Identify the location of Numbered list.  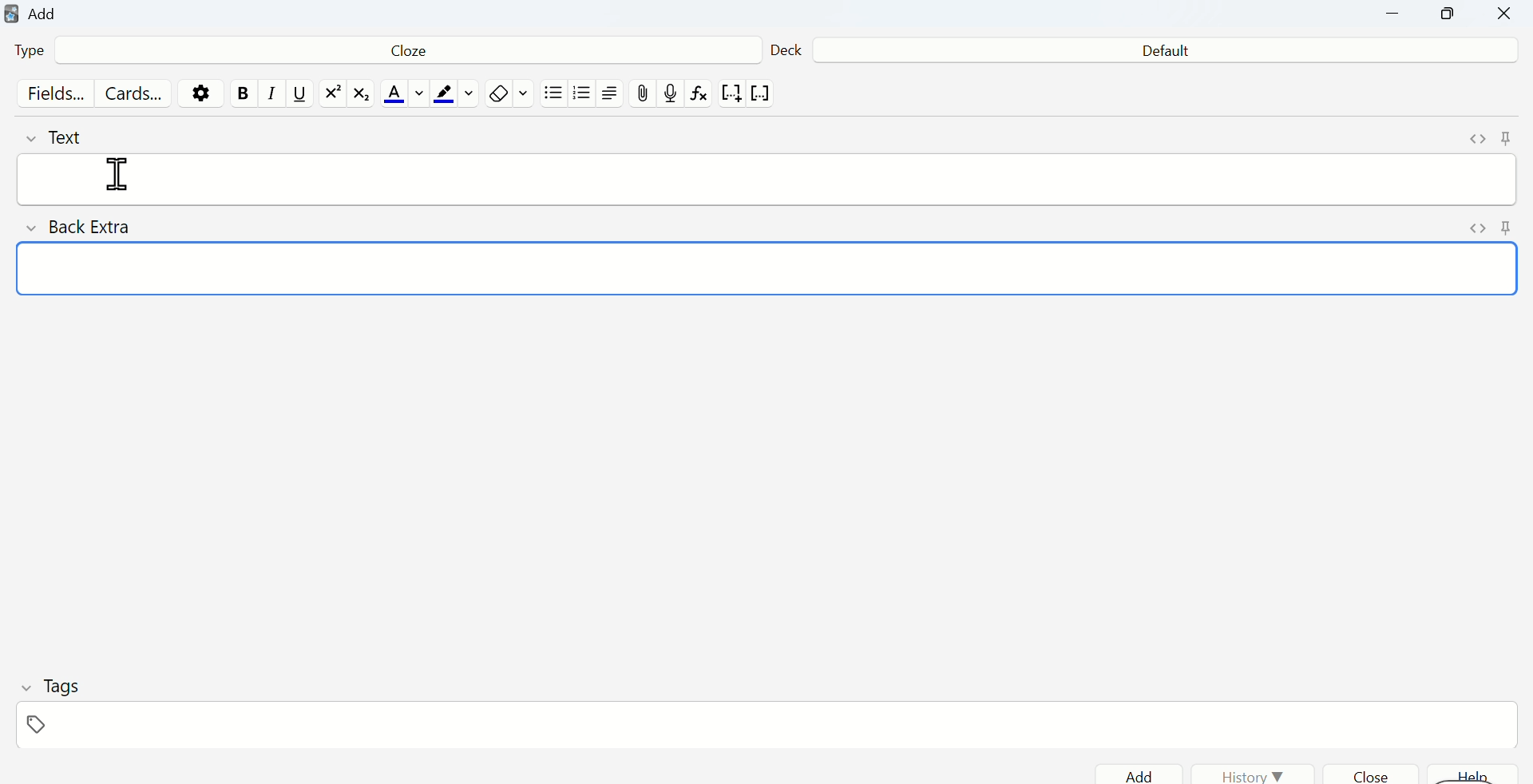
(584, 96).